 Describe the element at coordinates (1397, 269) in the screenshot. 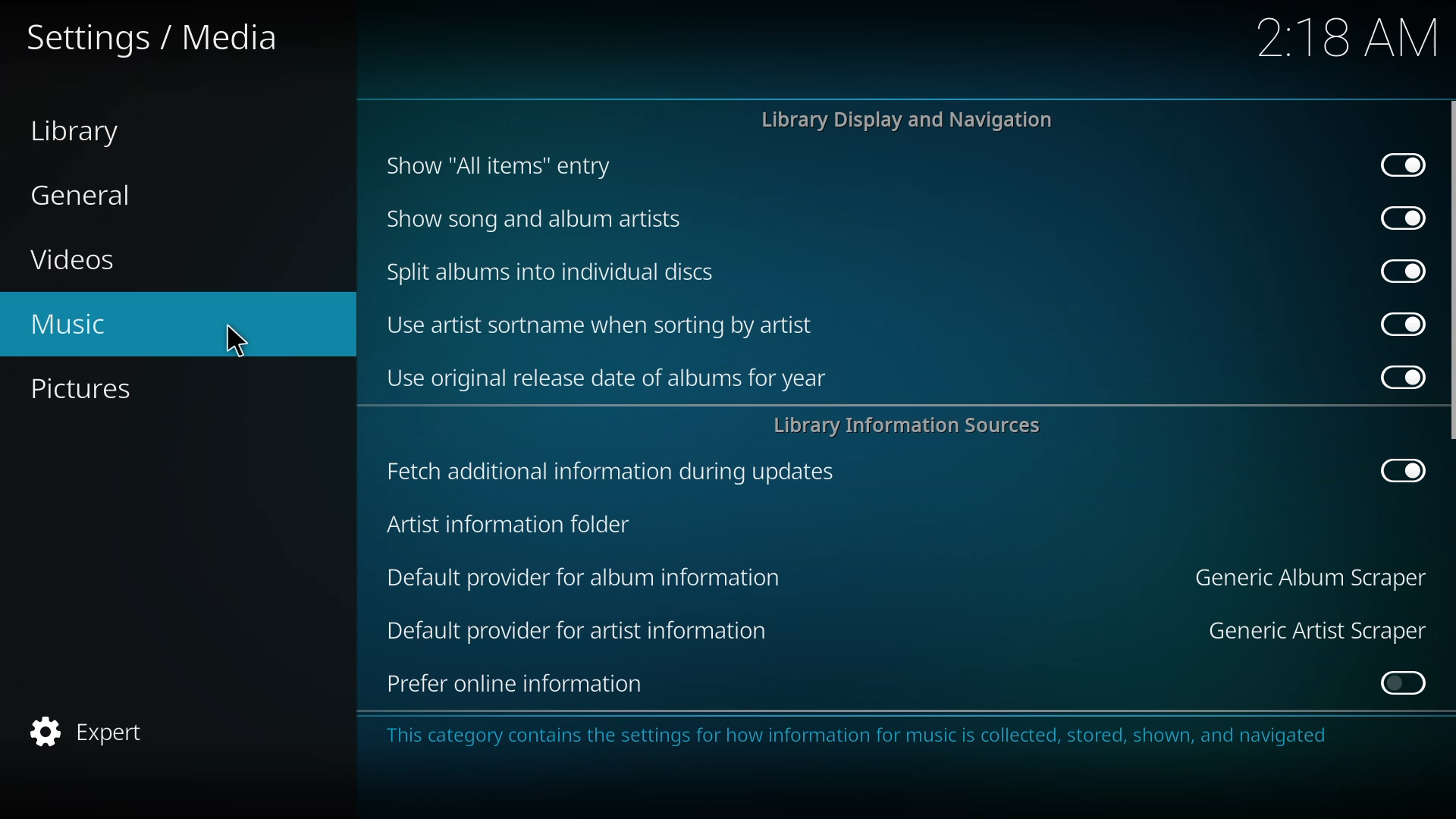

I see `enabled` at that location.